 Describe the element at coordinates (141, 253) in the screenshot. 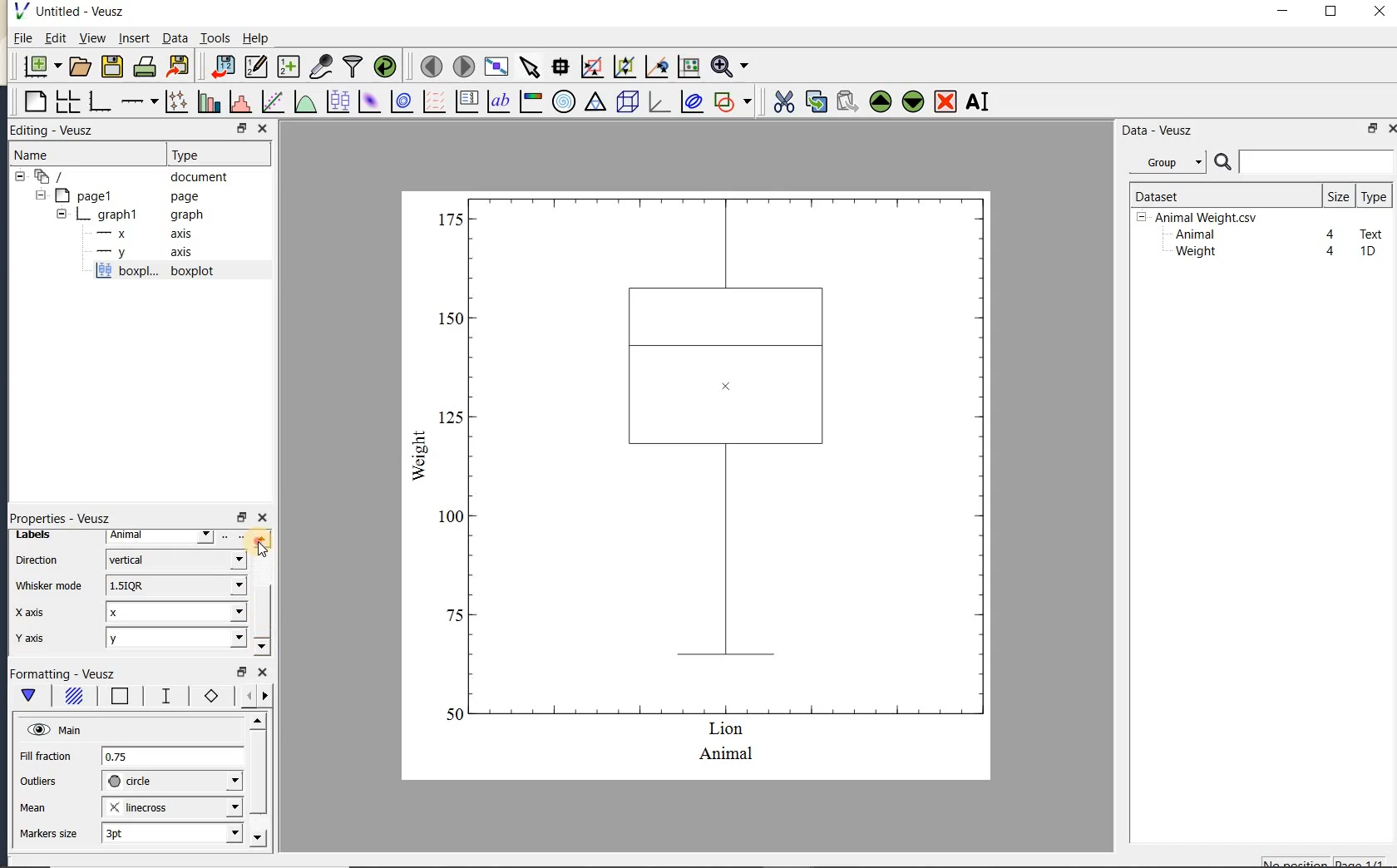

I see `axis` at that location.